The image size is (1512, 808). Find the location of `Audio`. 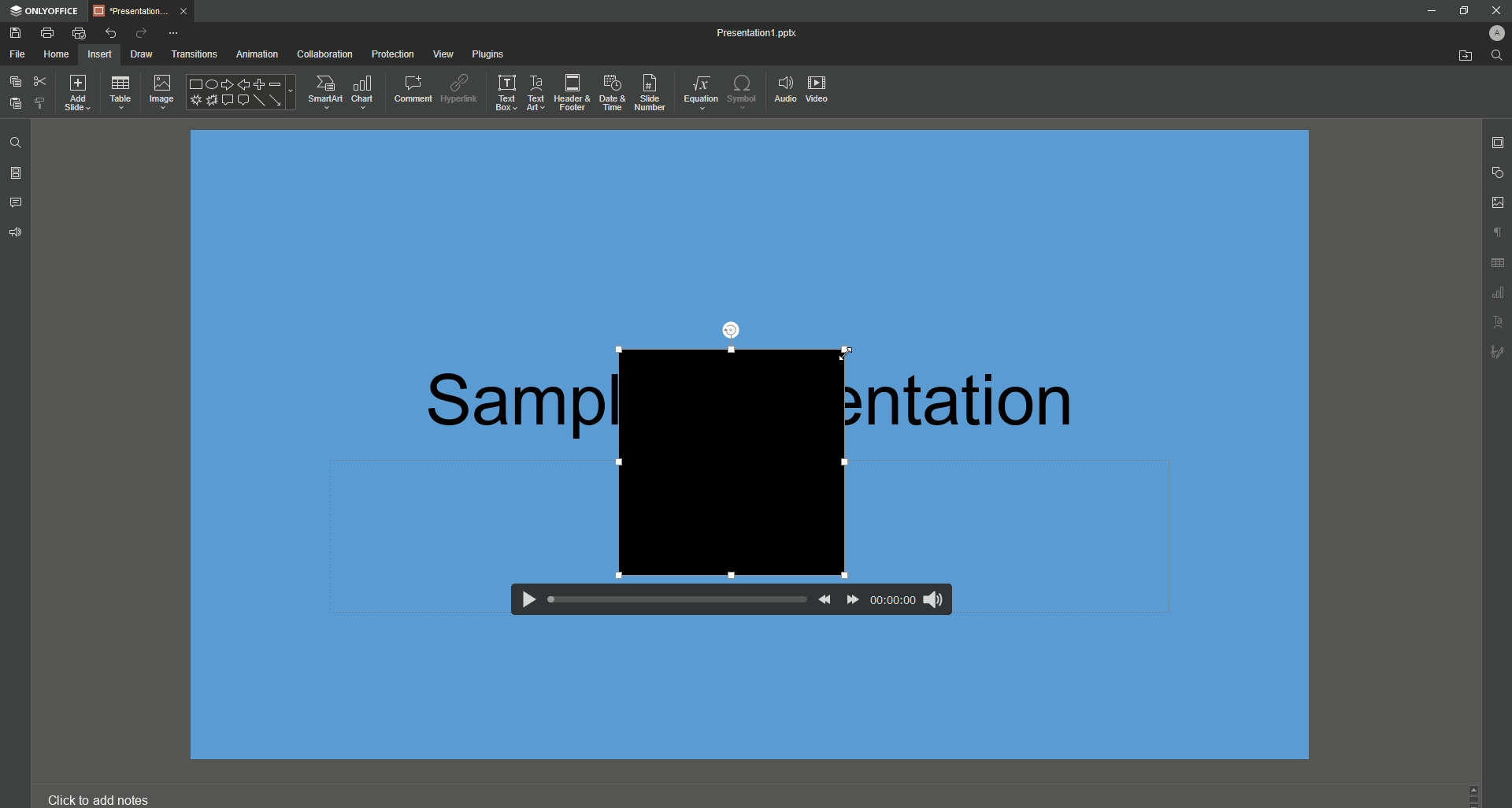

Audio is located at coordinates (784, 88).